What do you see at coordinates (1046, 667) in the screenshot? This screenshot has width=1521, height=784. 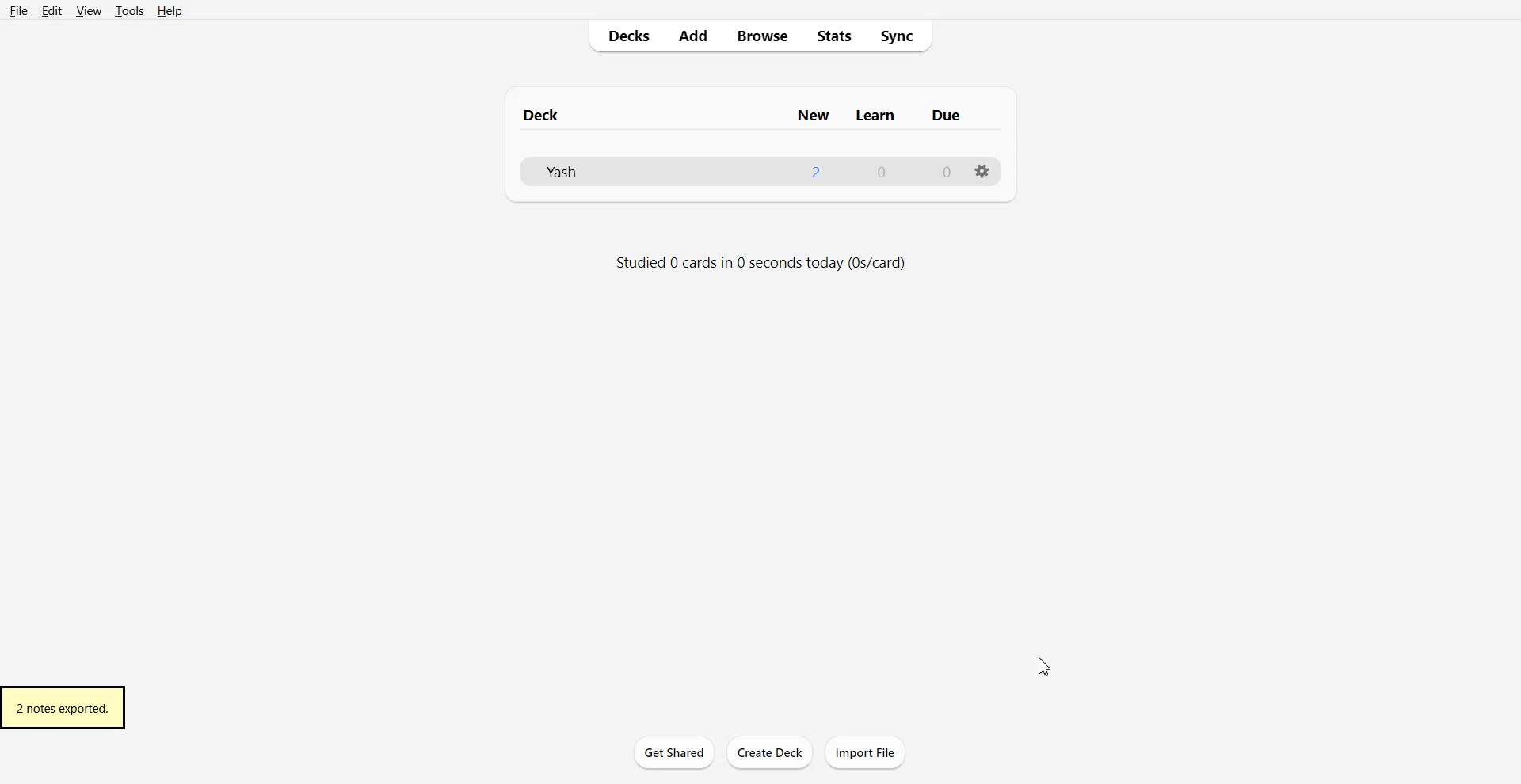 I see `Cursor` at bounding box center [1046, 667].